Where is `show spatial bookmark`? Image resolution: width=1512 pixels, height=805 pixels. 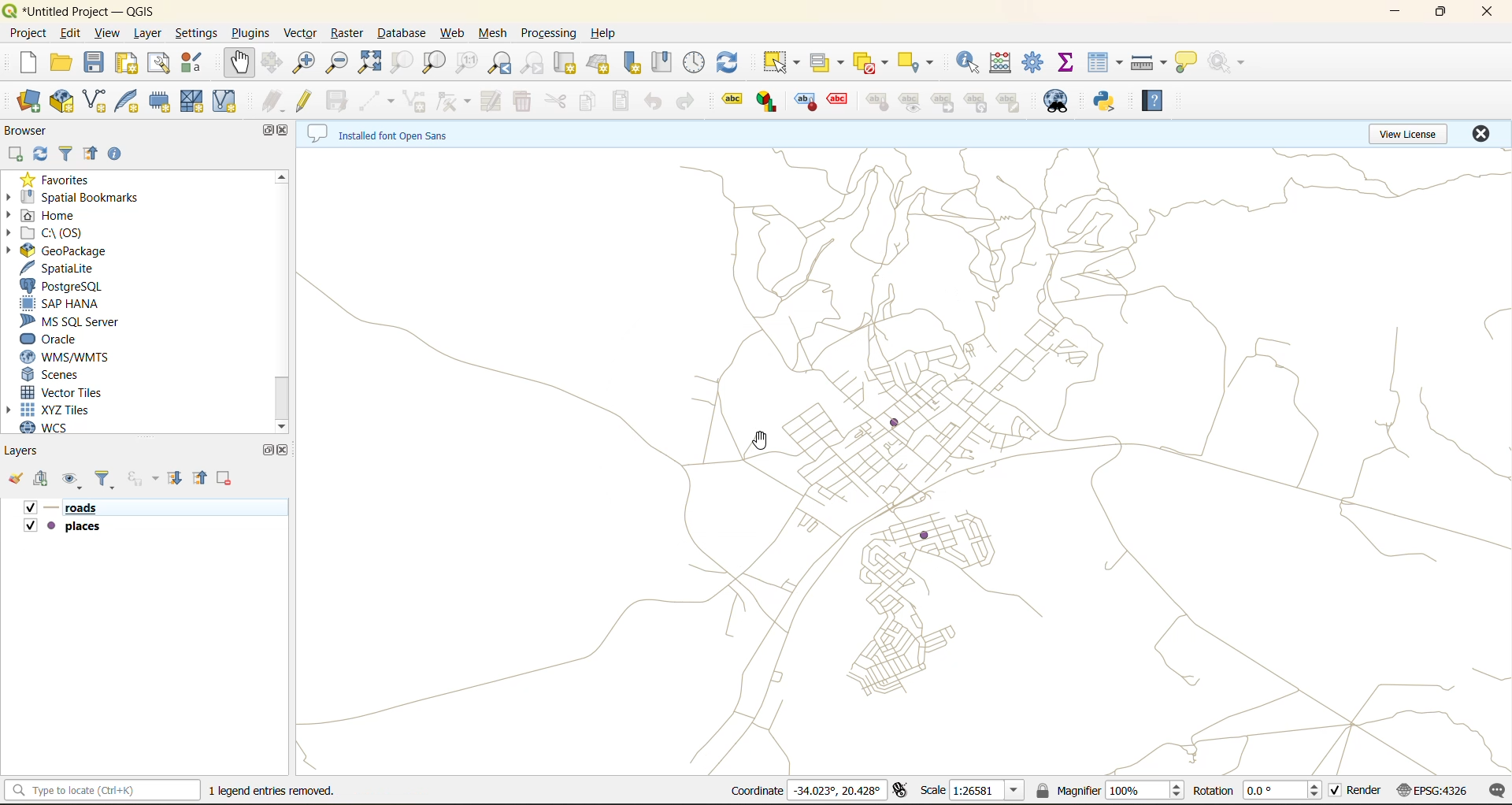 show spatial bookmark is located at coordinates (662, 60).